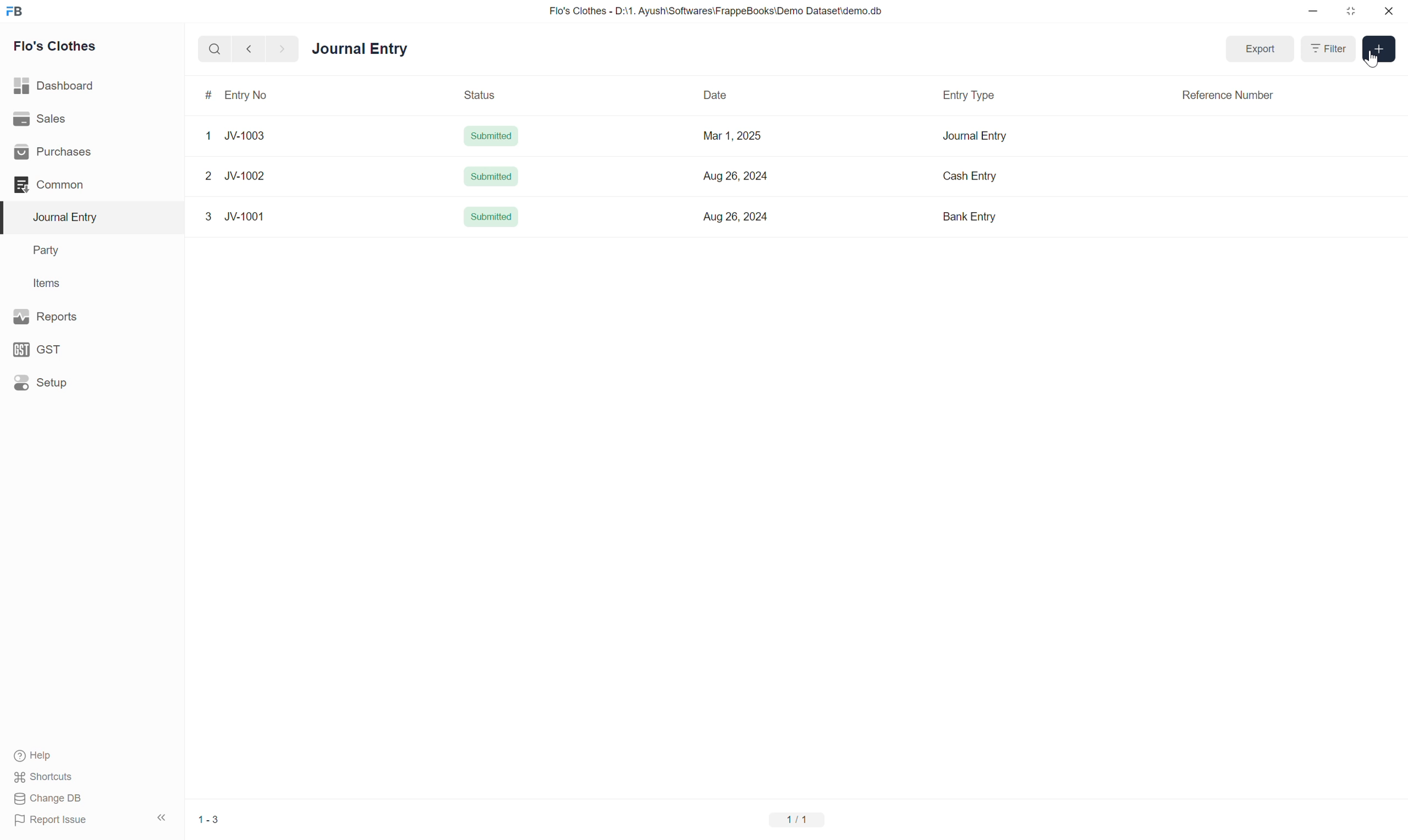 This screenshot has height=840, width=1408. What do you see at coordinates (209, 820) in the screenshot?
I see `1 -3` at bounding box center [209, 820].